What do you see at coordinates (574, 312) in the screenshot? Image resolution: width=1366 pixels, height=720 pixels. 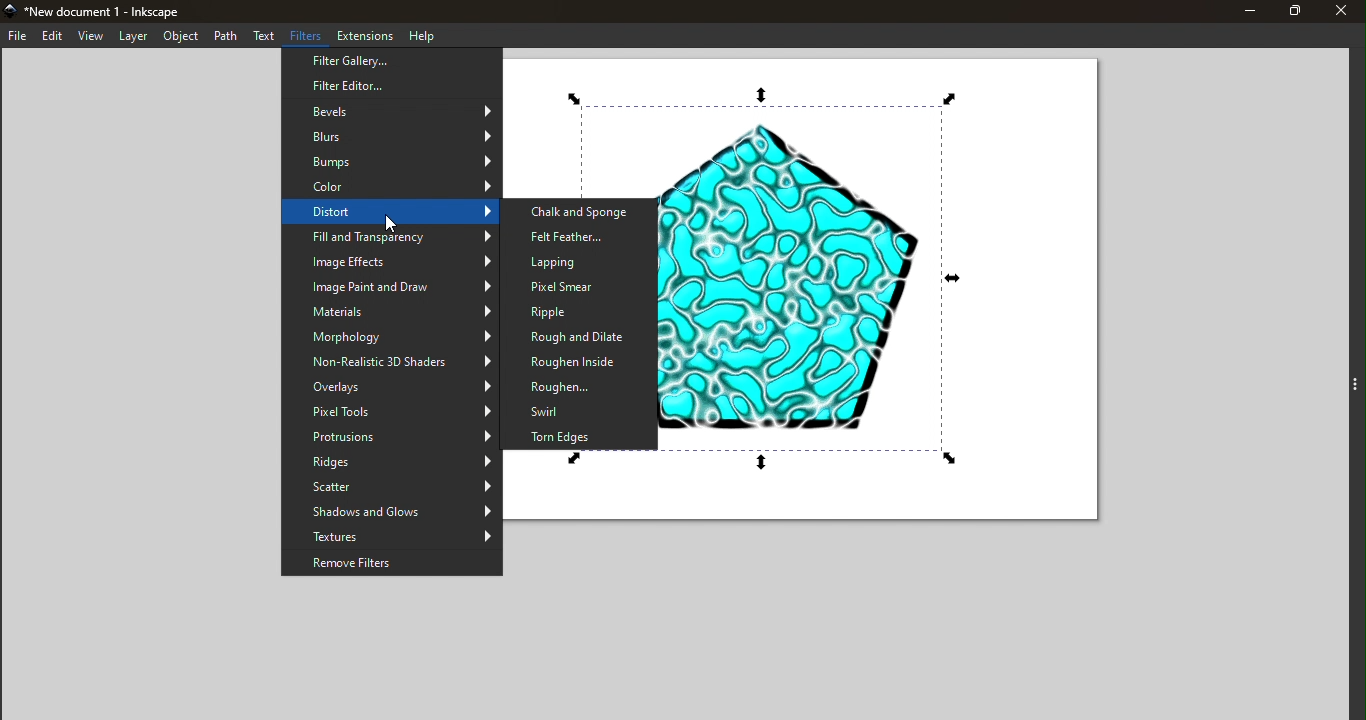 I see `Ripple` at bounding box center [574, 312].